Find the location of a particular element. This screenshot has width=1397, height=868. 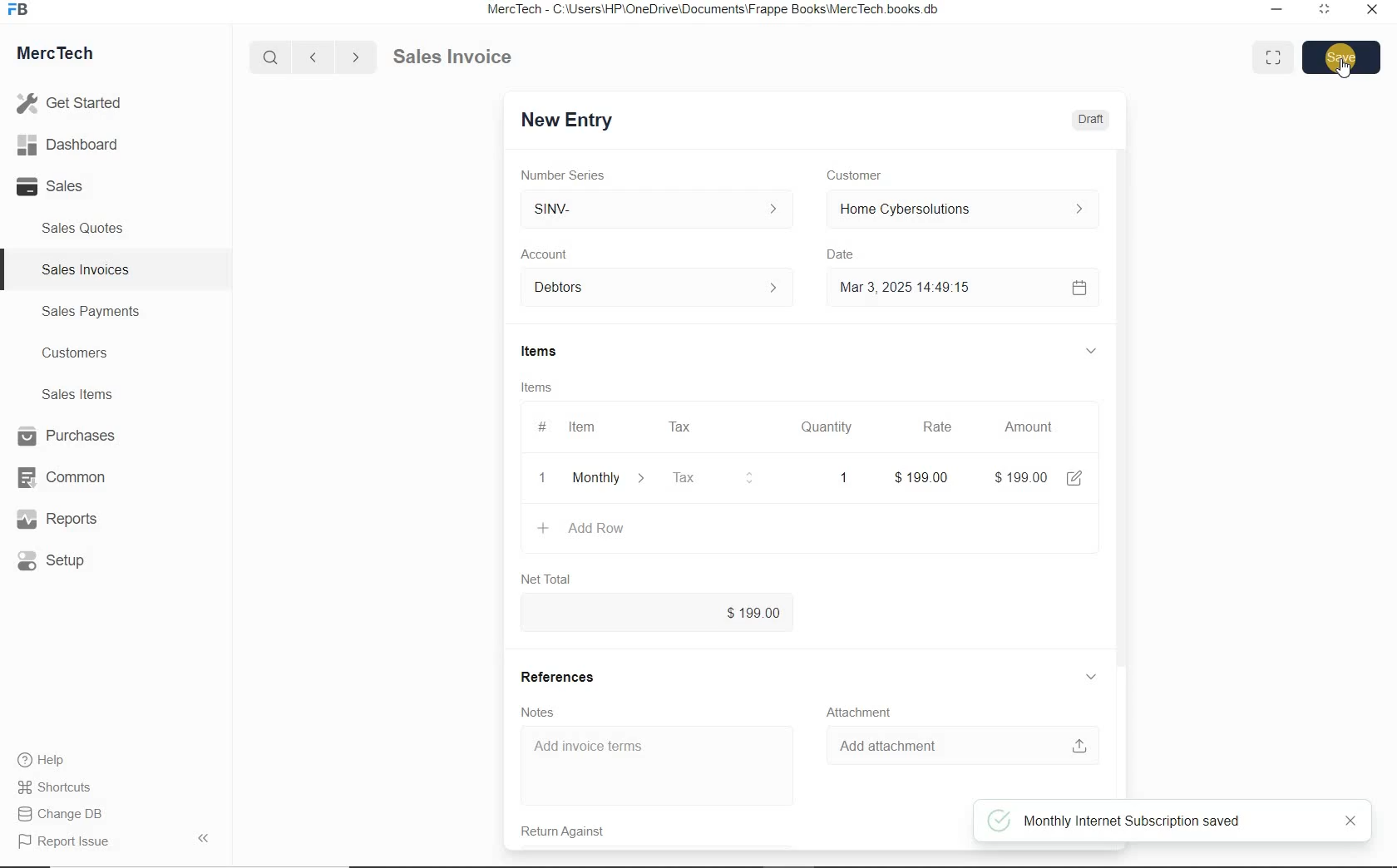

Sales is located at coordinates (75, 186).